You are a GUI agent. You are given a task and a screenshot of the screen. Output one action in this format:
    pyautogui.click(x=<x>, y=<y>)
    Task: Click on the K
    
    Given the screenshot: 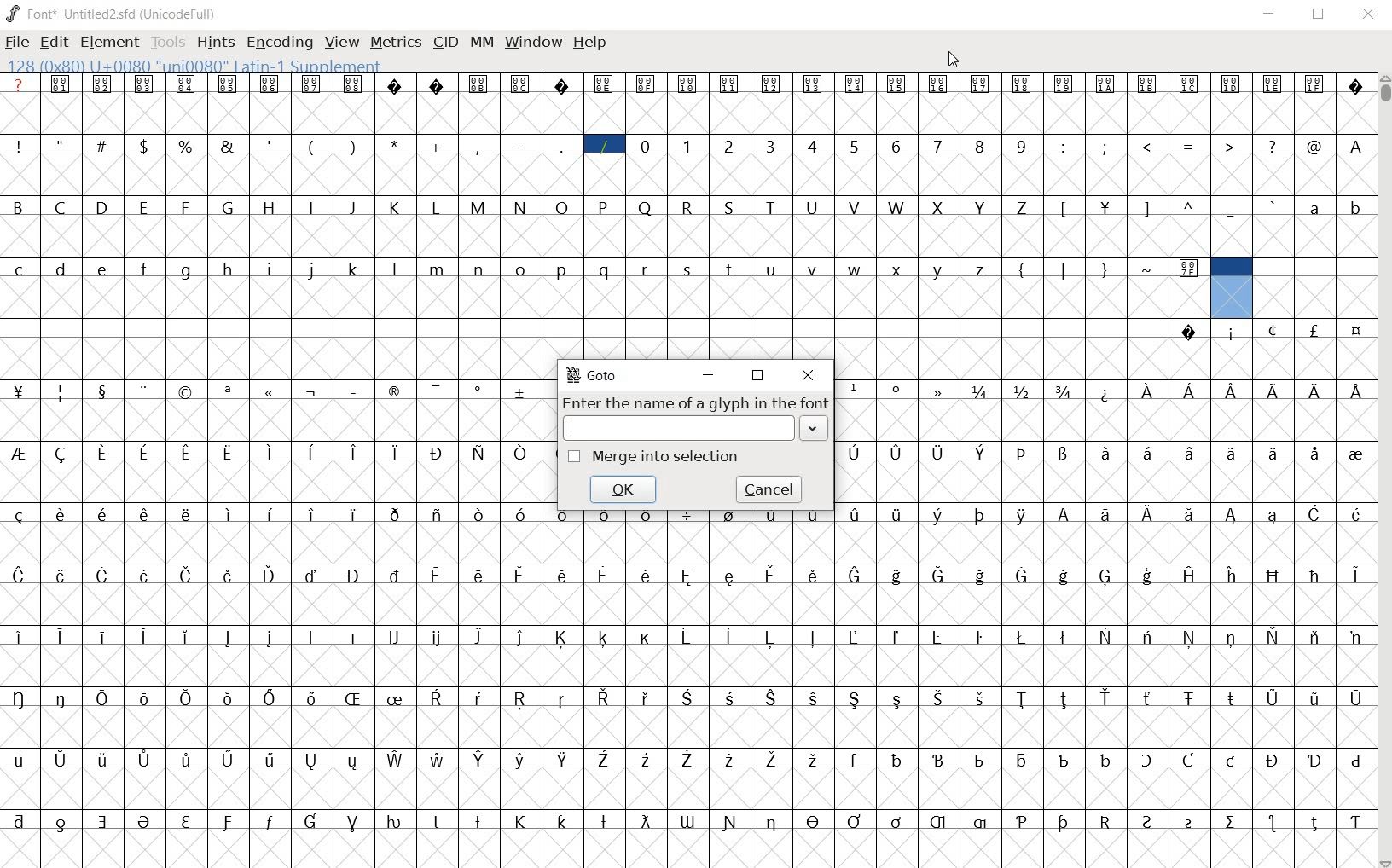 What is the action you would take?
    pyautogui.click(x=397, y=206)
    